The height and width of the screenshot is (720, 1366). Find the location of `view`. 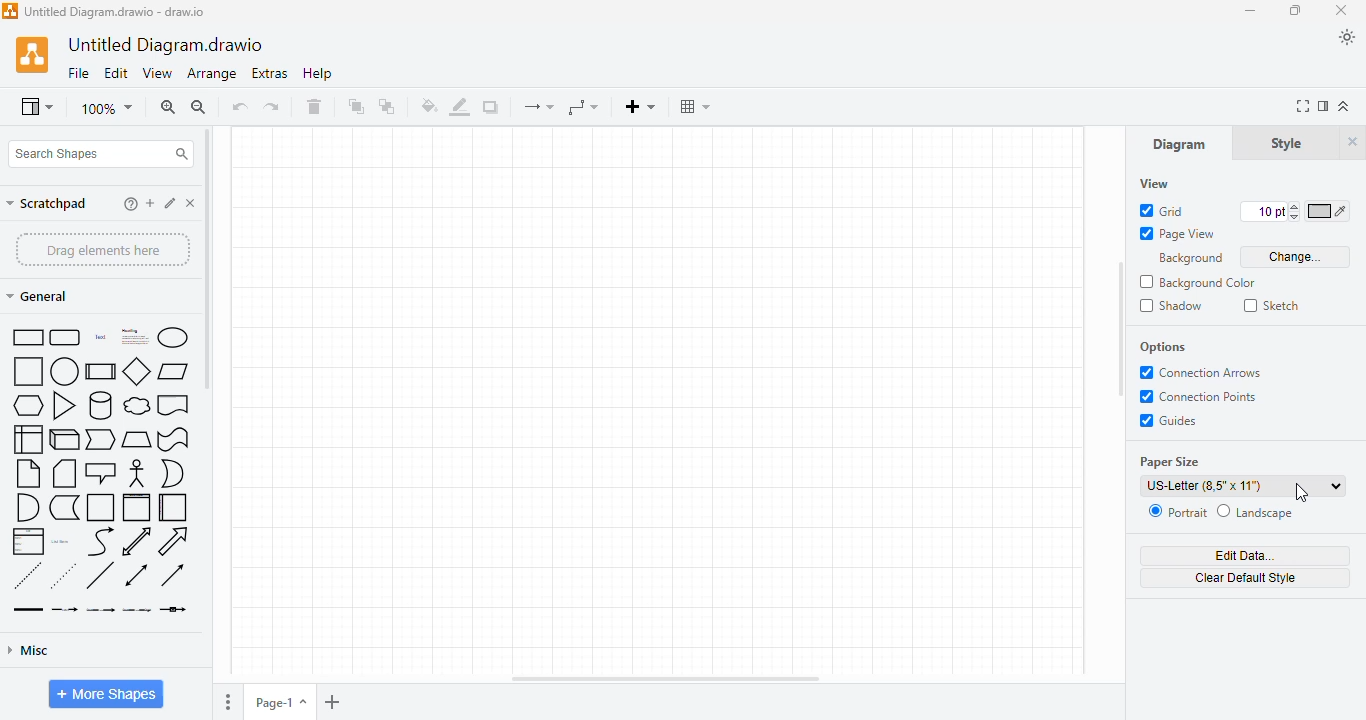

view is located at coordinates (36, 108).